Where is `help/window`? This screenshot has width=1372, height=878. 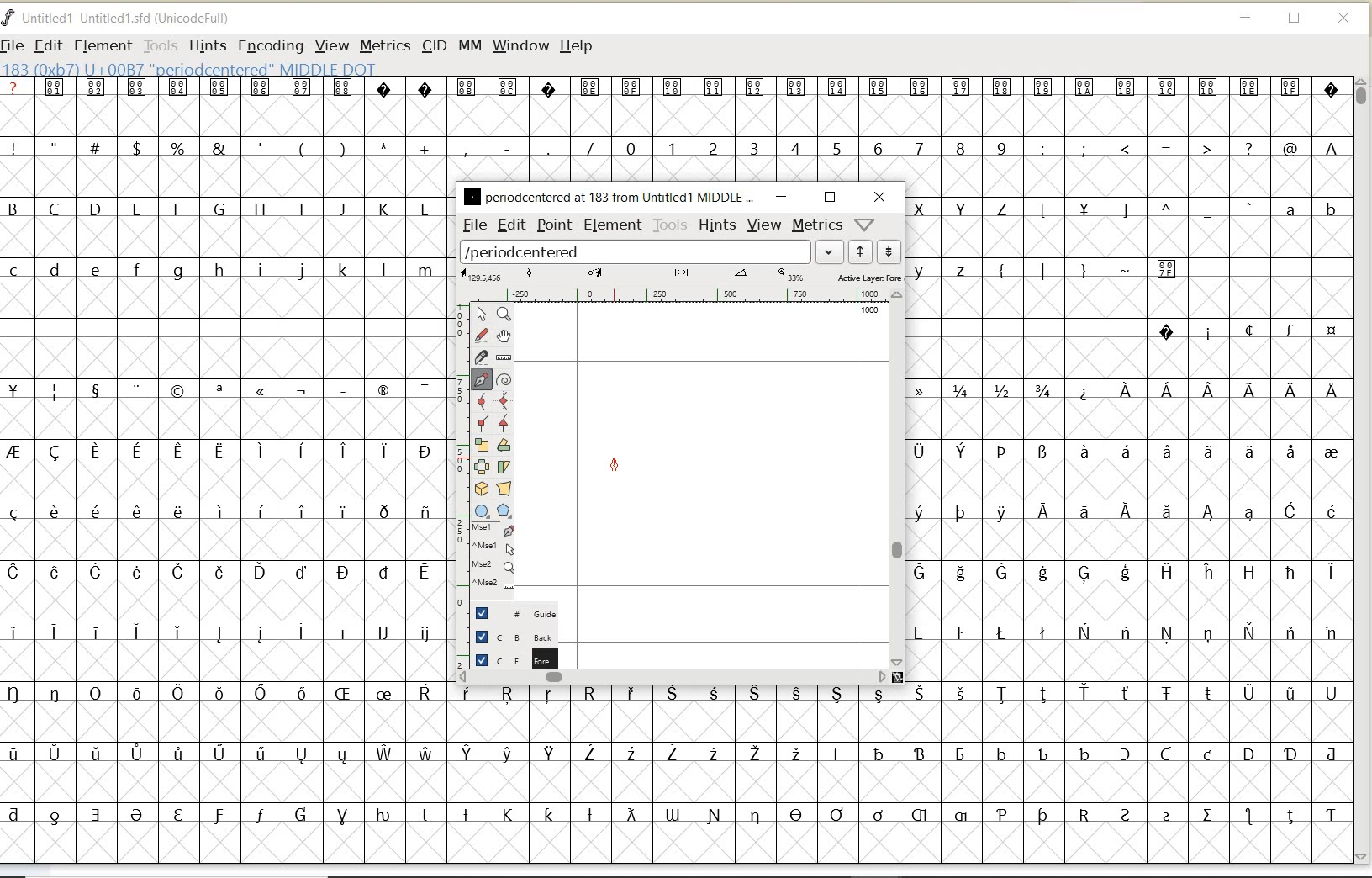
help/window is located at coordinates (863, 225).